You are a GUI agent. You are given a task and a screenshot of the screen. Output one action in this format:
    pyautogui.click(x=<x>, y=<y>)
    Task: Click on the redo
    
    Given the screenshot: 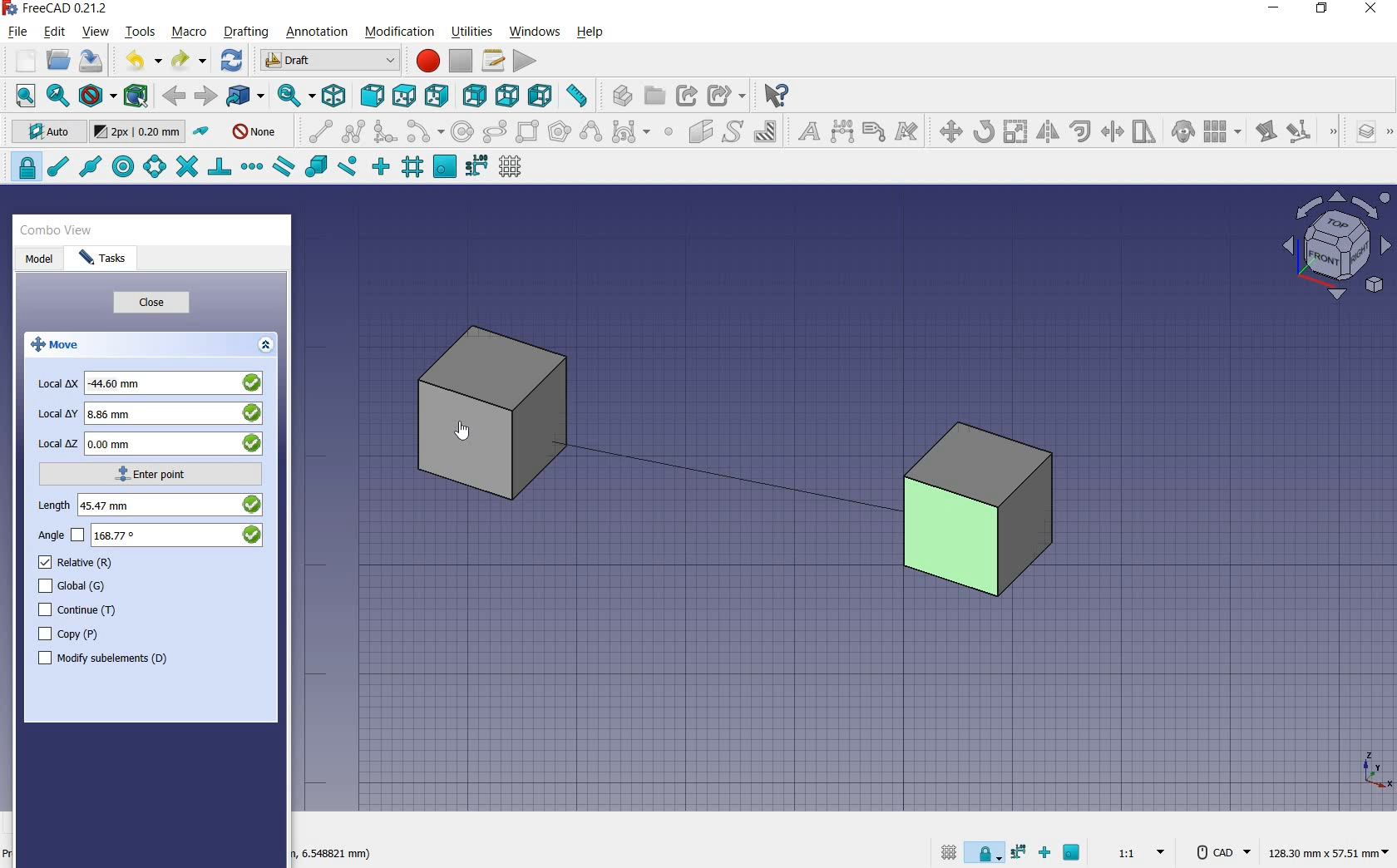 What is the action you would take?
    pyautogui.click(x=186, y=61)
    